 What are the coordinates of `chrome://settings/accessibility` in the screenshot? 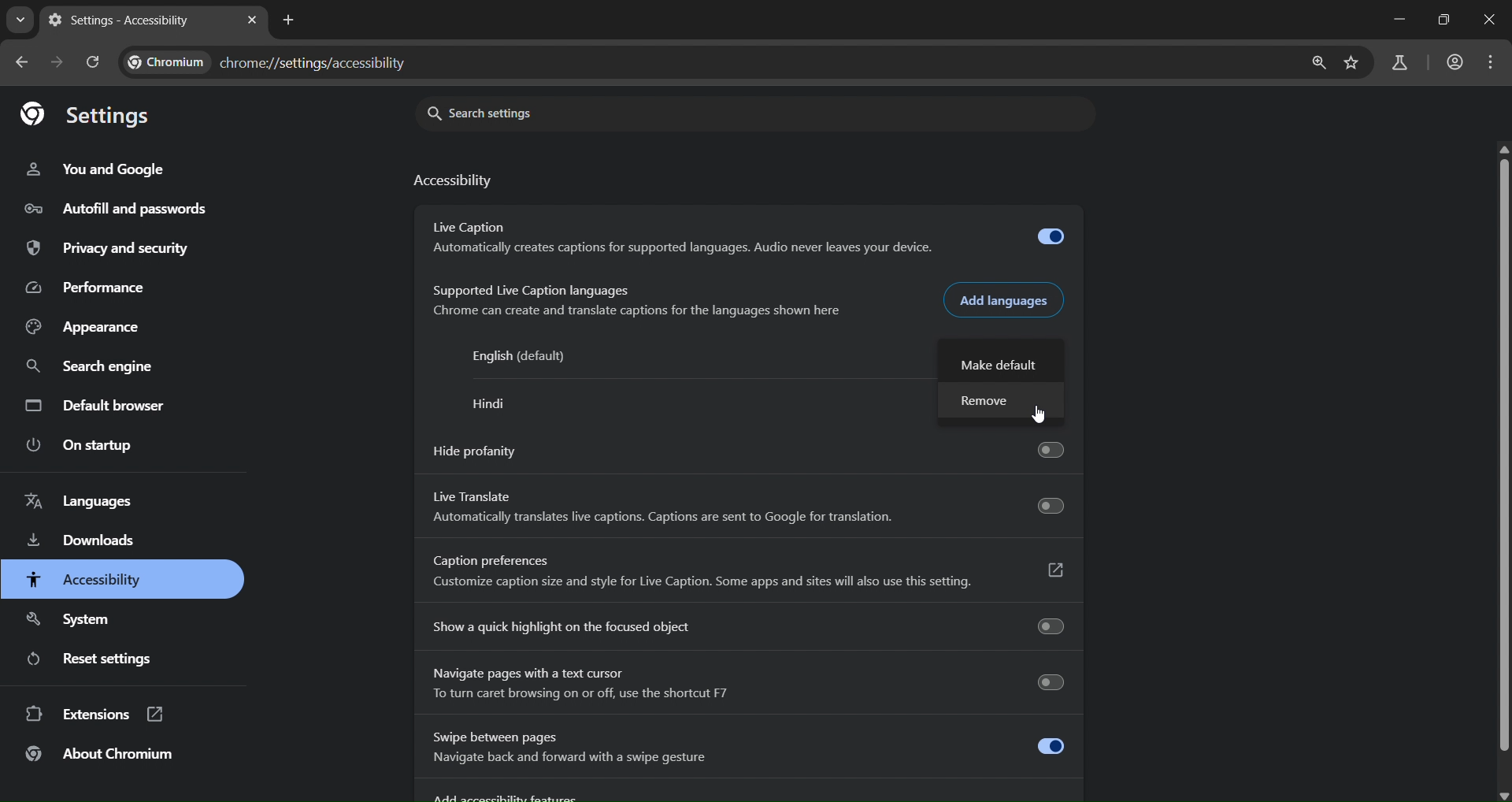 It's located at (317, 64).